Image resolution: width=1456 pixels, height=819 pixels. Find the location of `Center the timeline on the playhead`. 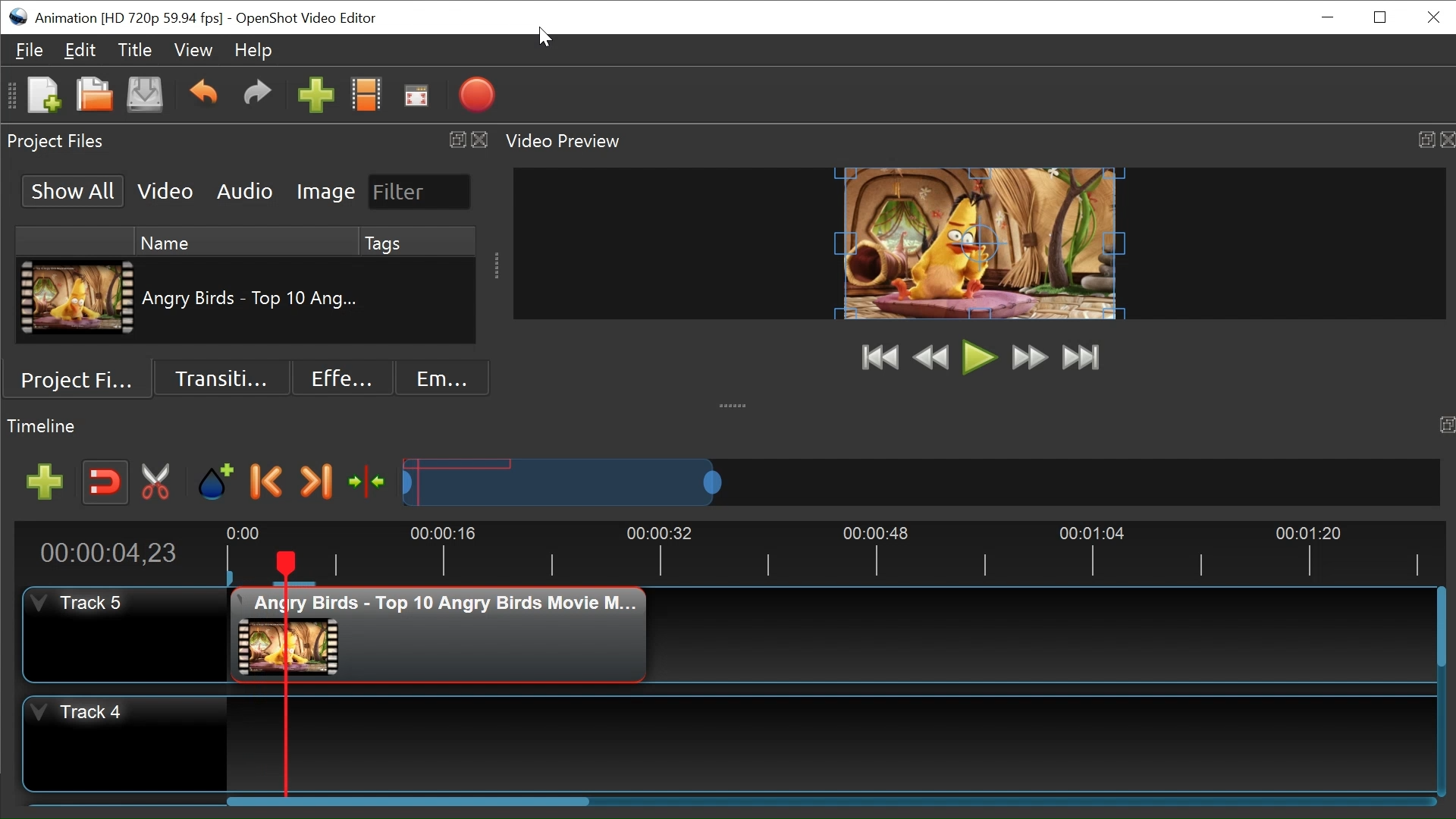

Center the timeline on the playhead is located at coordinates (370, 484).